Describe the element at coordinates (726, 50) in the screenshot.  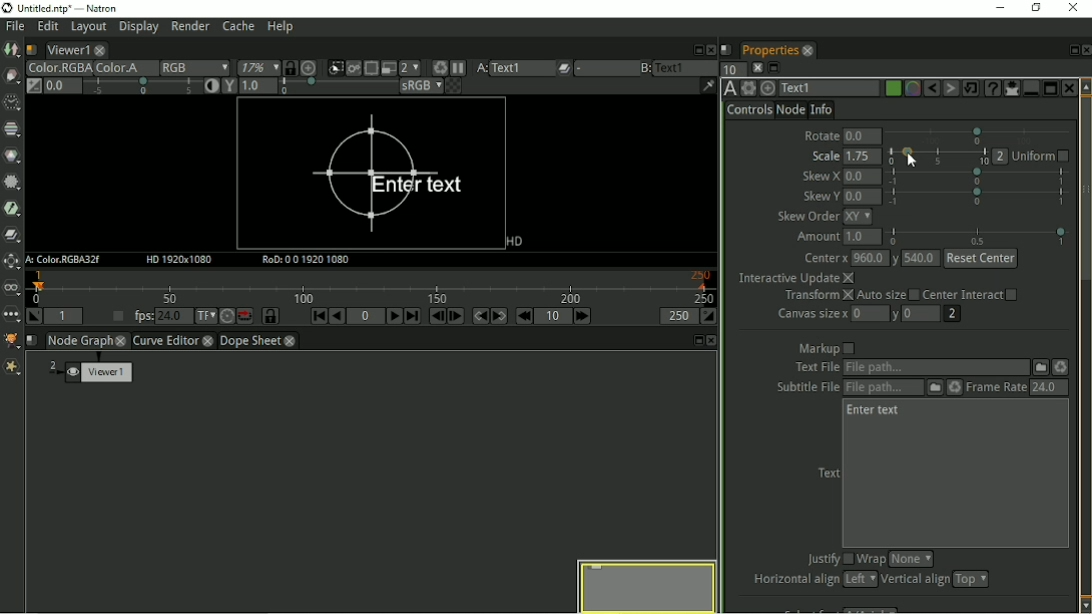
I see `Script name` at that location.